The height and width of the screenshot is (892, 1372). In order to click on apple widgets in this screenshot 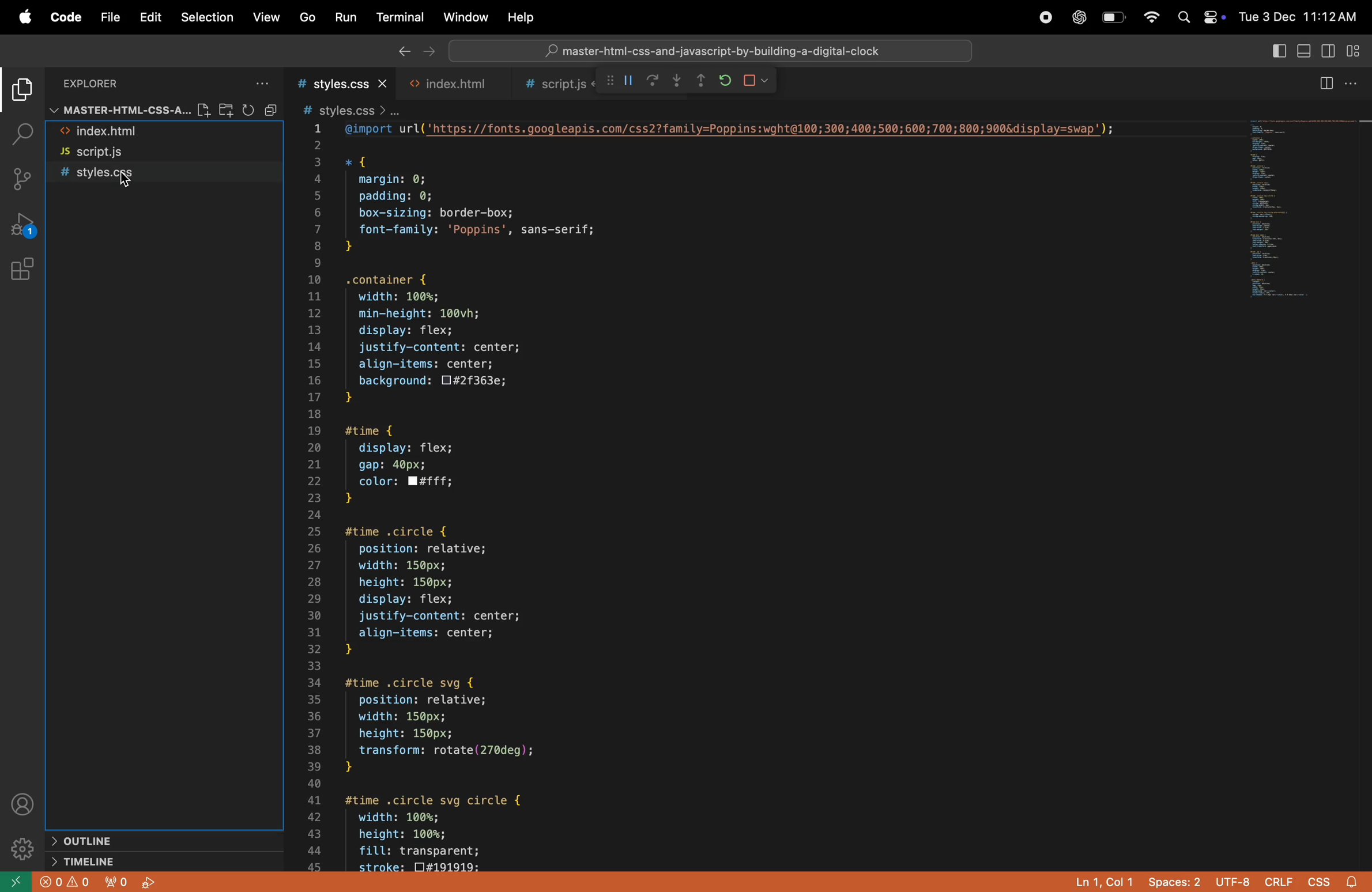, I will do `click(1197, 16)`.